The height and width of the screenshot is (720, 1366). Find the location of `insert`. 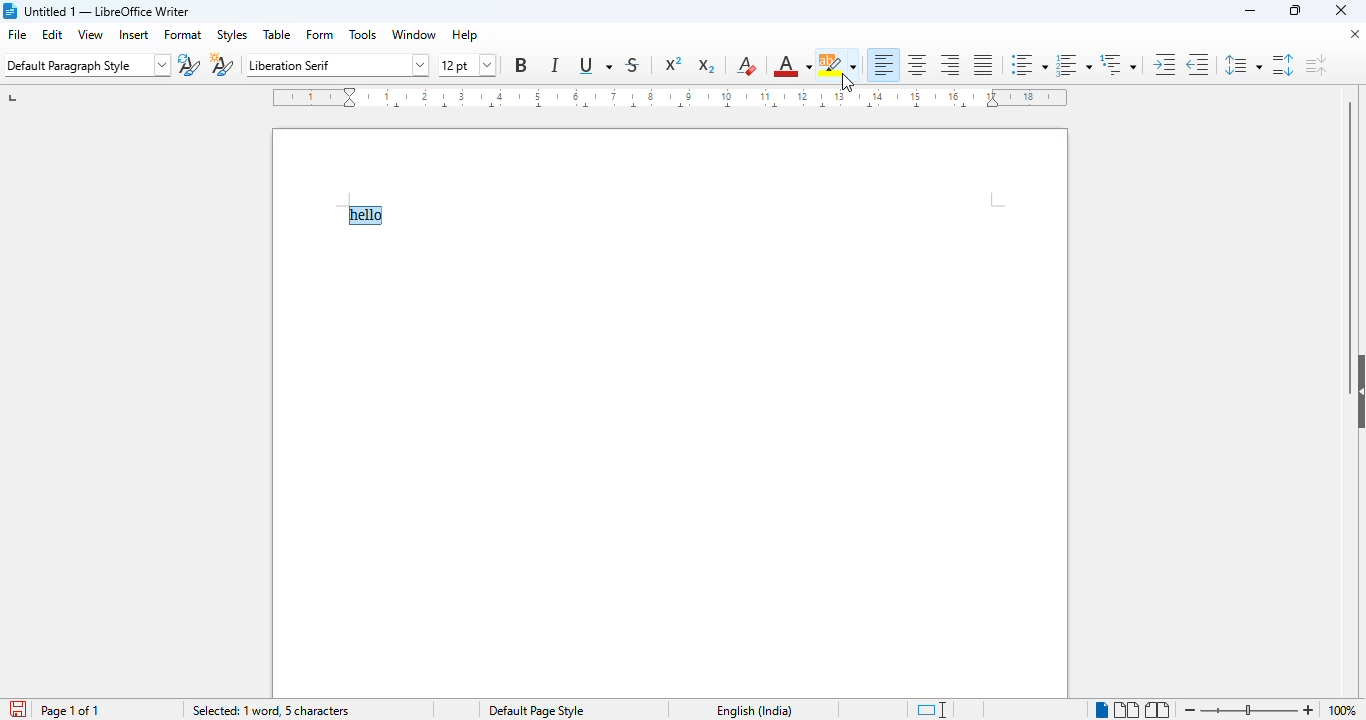

insert is located at coordinates (134, 35).